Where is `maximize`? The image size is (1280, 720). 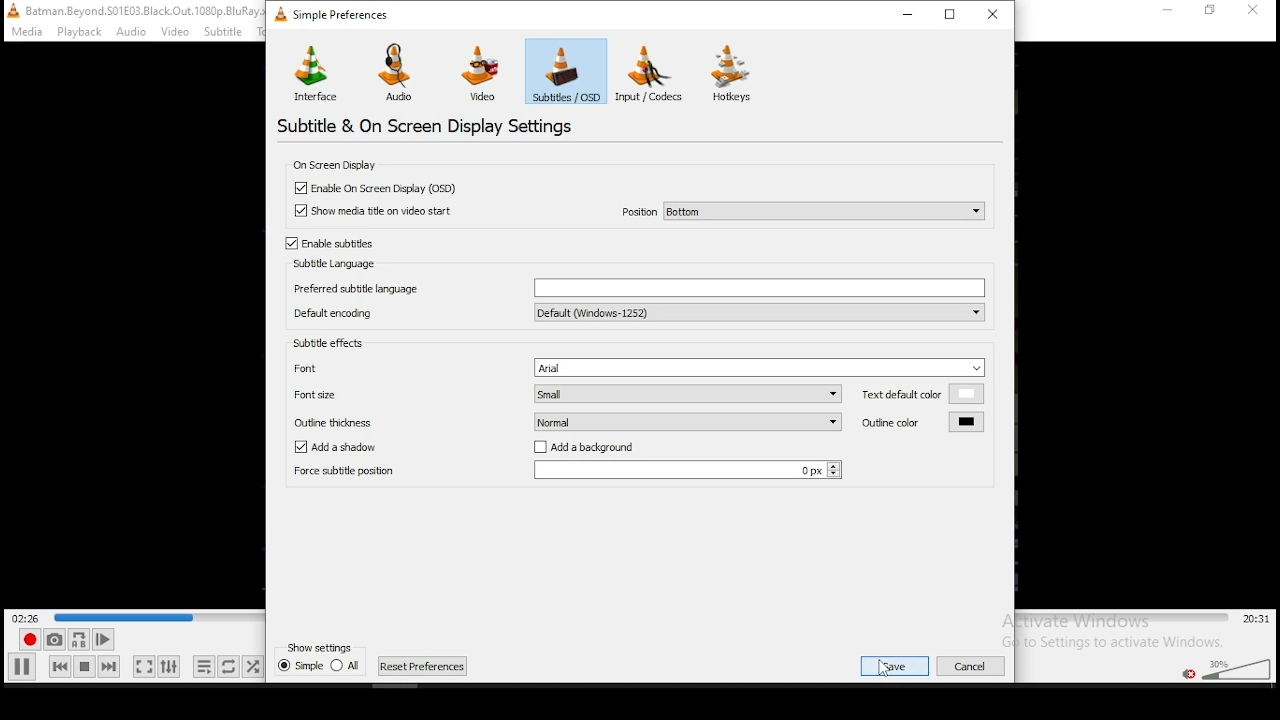
maximize is located at coordinates (952, 13).